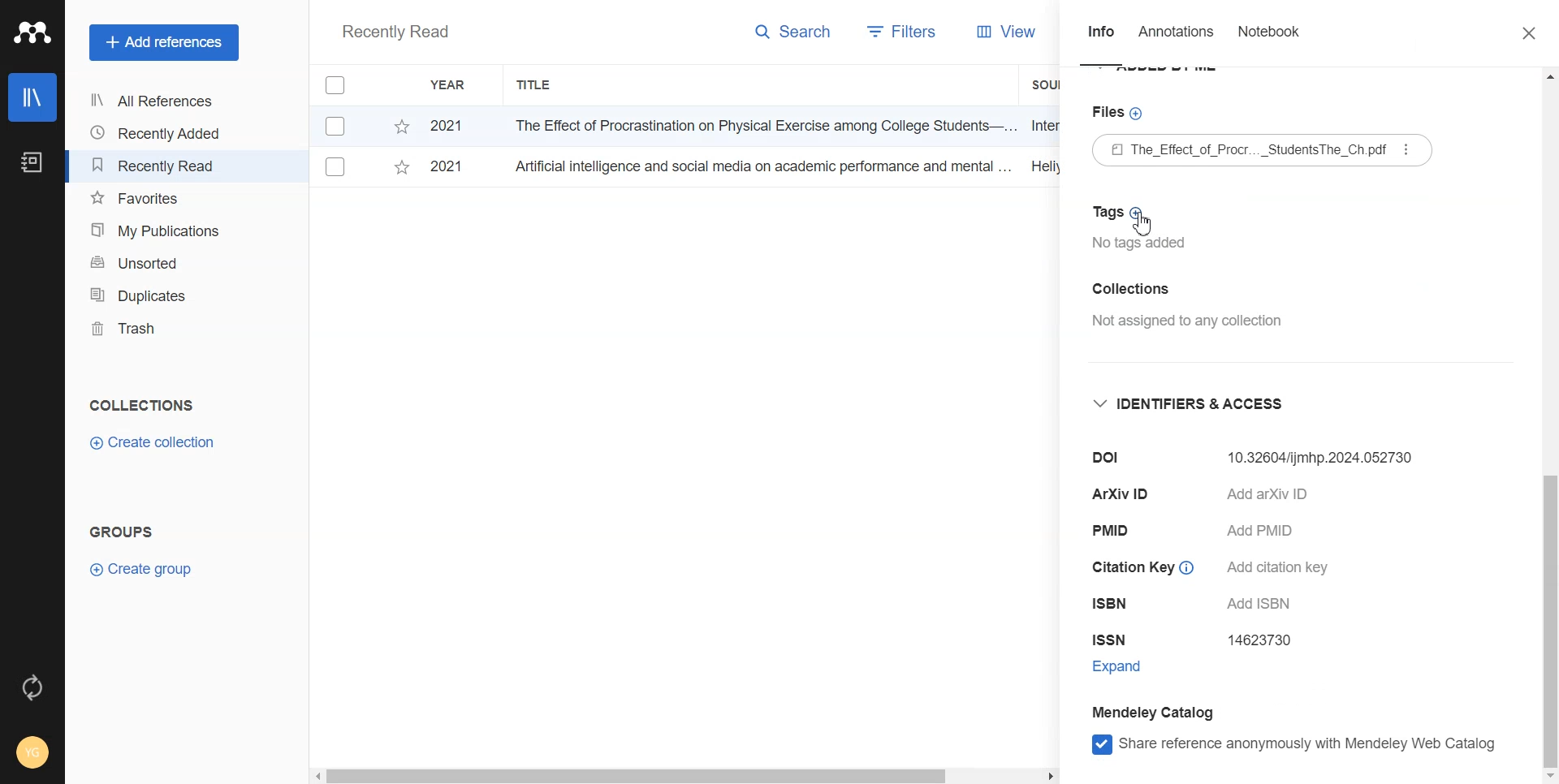  I want to click on All References, so click(158, 101).